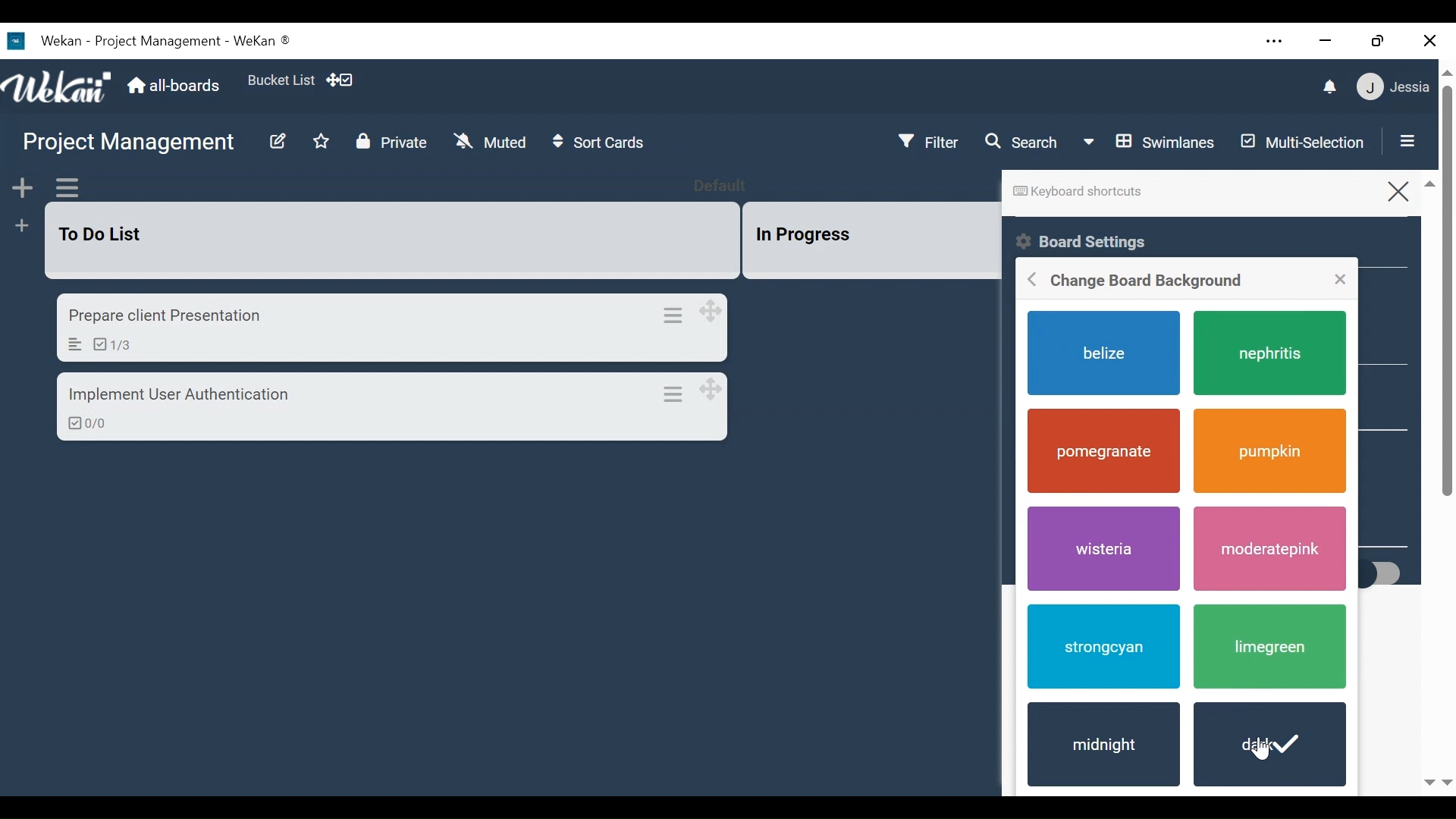 The width and height of the screenshot is (1456, 819). Describe the element at coordinates (1149, 144) in the screenshot. I see `Board View` at that location.